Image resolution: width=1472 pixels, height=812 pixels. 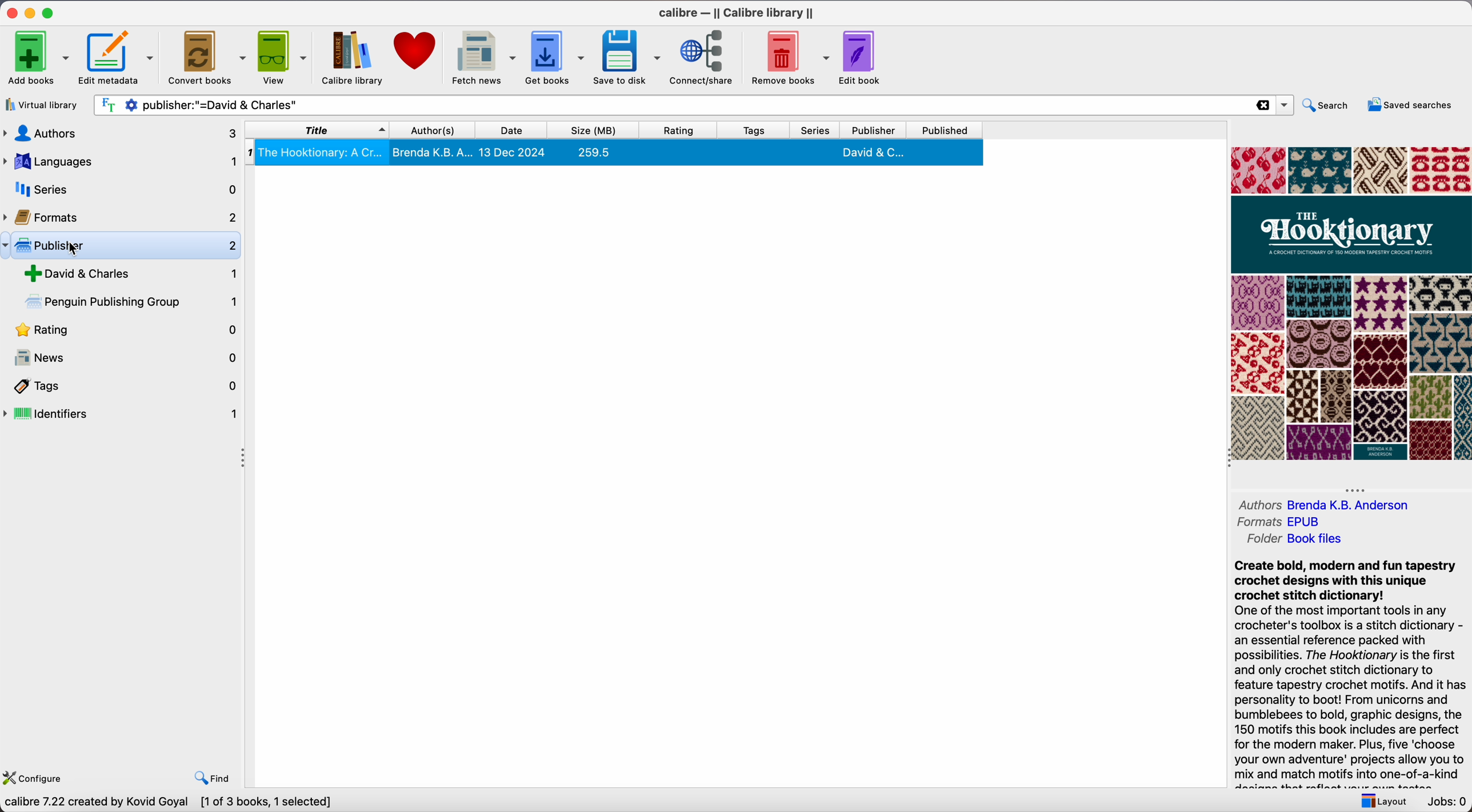 What do you see at coordinates (1409, 104) in the screenshot?
I see `saved searches` at bounding box center [1409, 104].